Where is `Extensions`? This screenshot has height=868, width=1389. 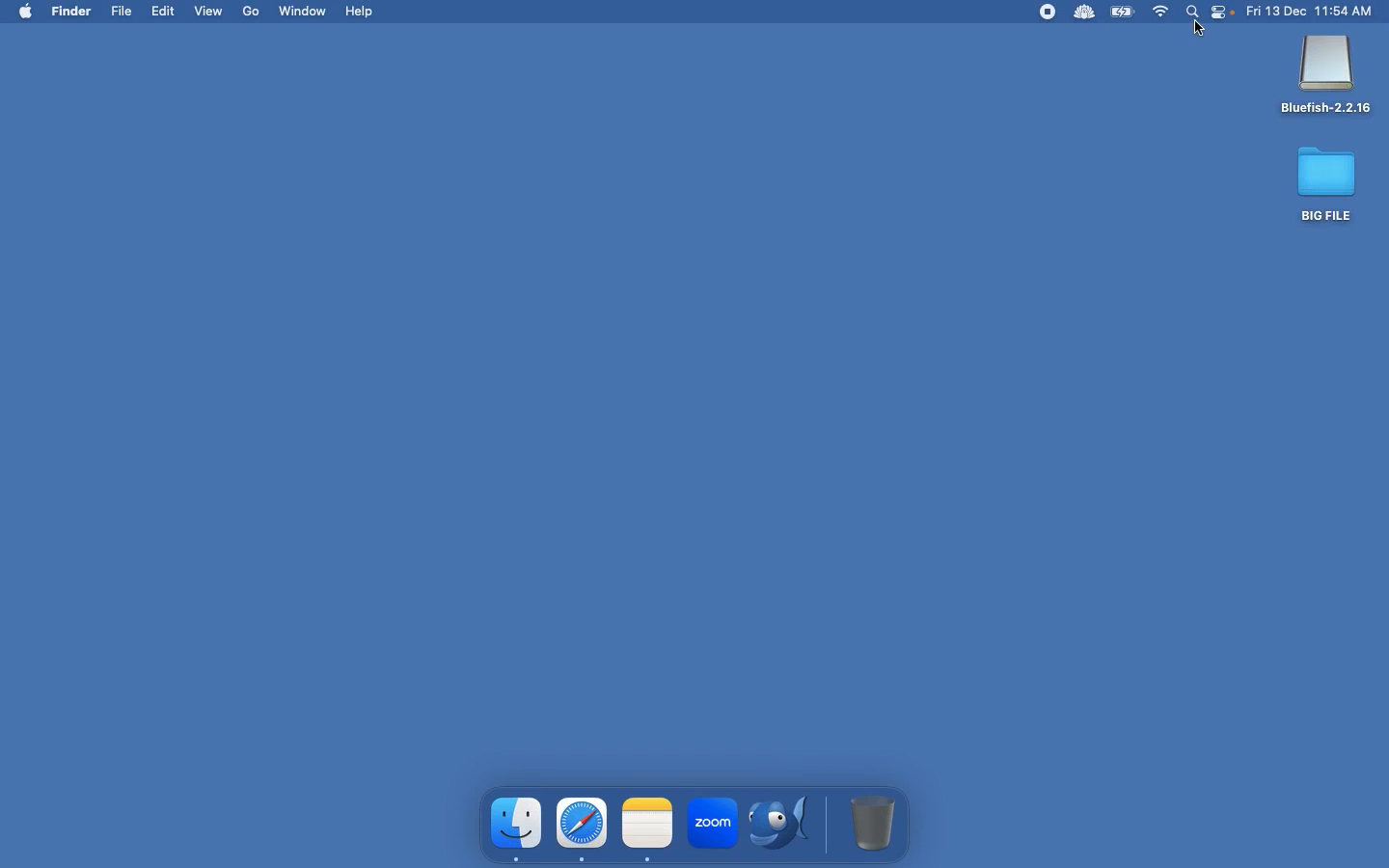 Extensions is located at coordinates (1064, 12).